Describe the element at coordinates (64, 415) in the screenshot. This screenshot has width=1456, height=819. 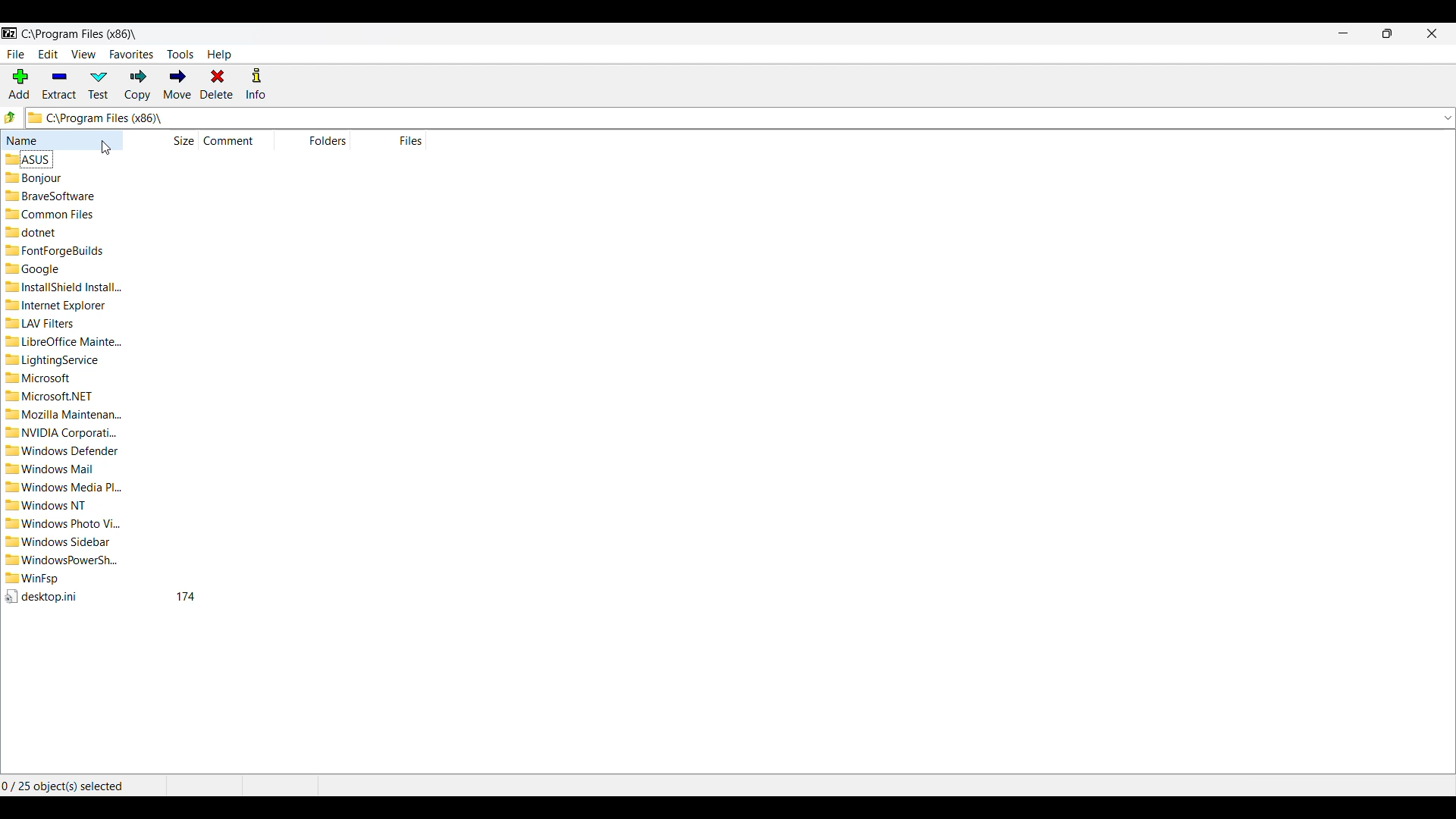
I see `Mozilla Maintenance` at that location.